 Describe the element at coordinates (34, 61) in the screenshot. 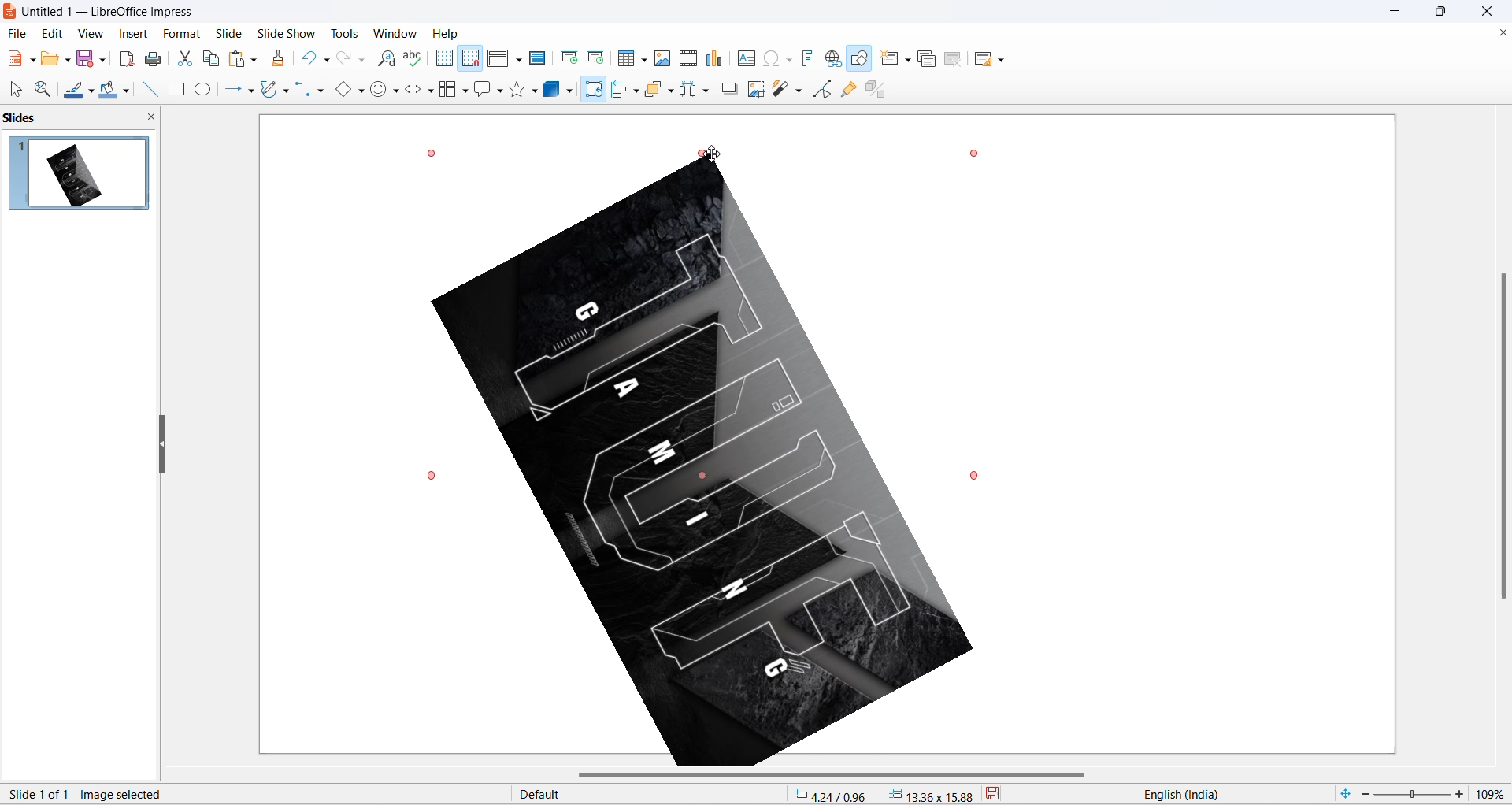

I see `new file options` at that location.